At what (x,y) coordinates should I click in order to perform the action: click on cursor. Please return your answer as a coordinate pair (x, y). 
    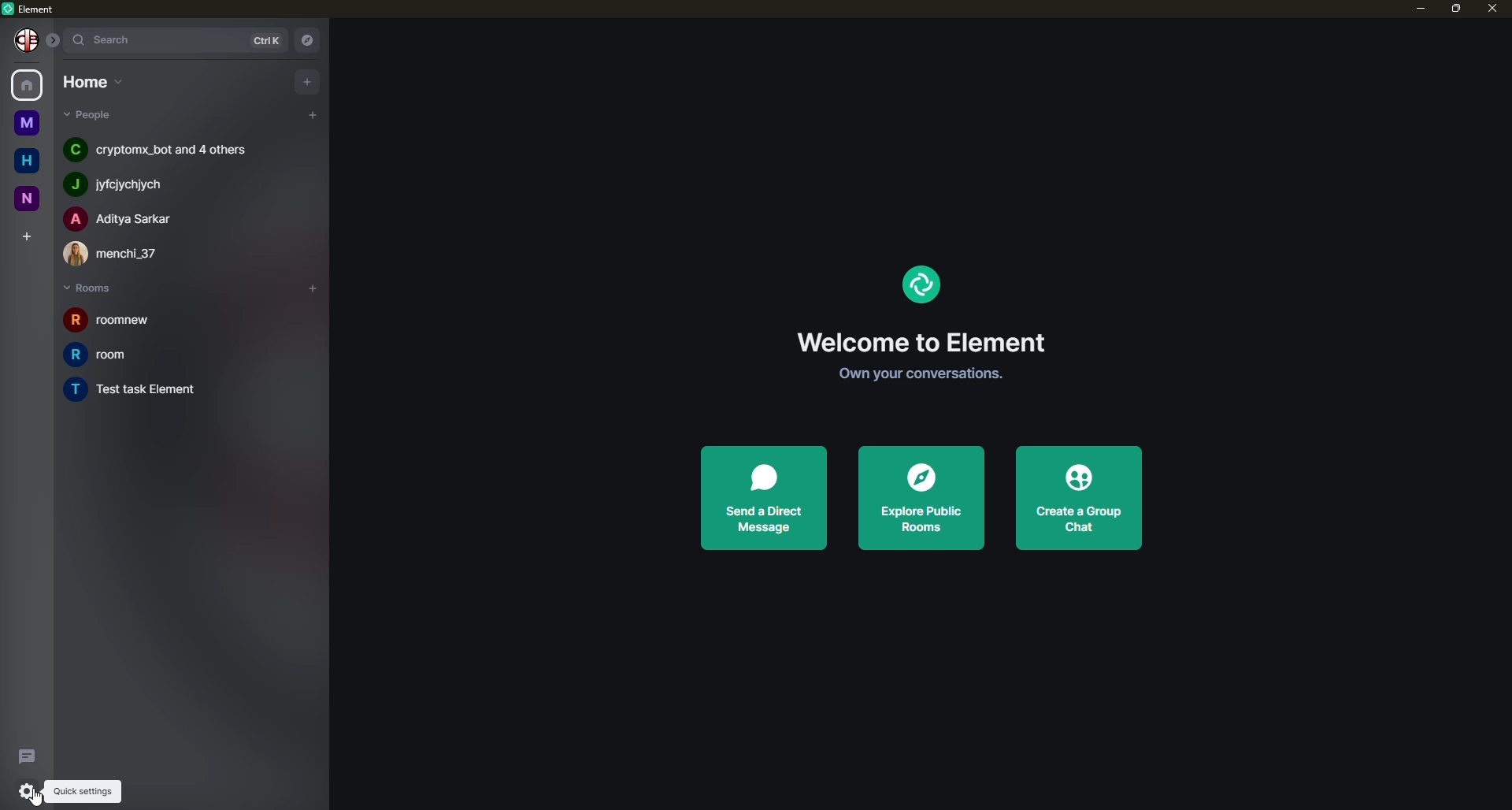
    Looking at the image, I should click on (35, 798).